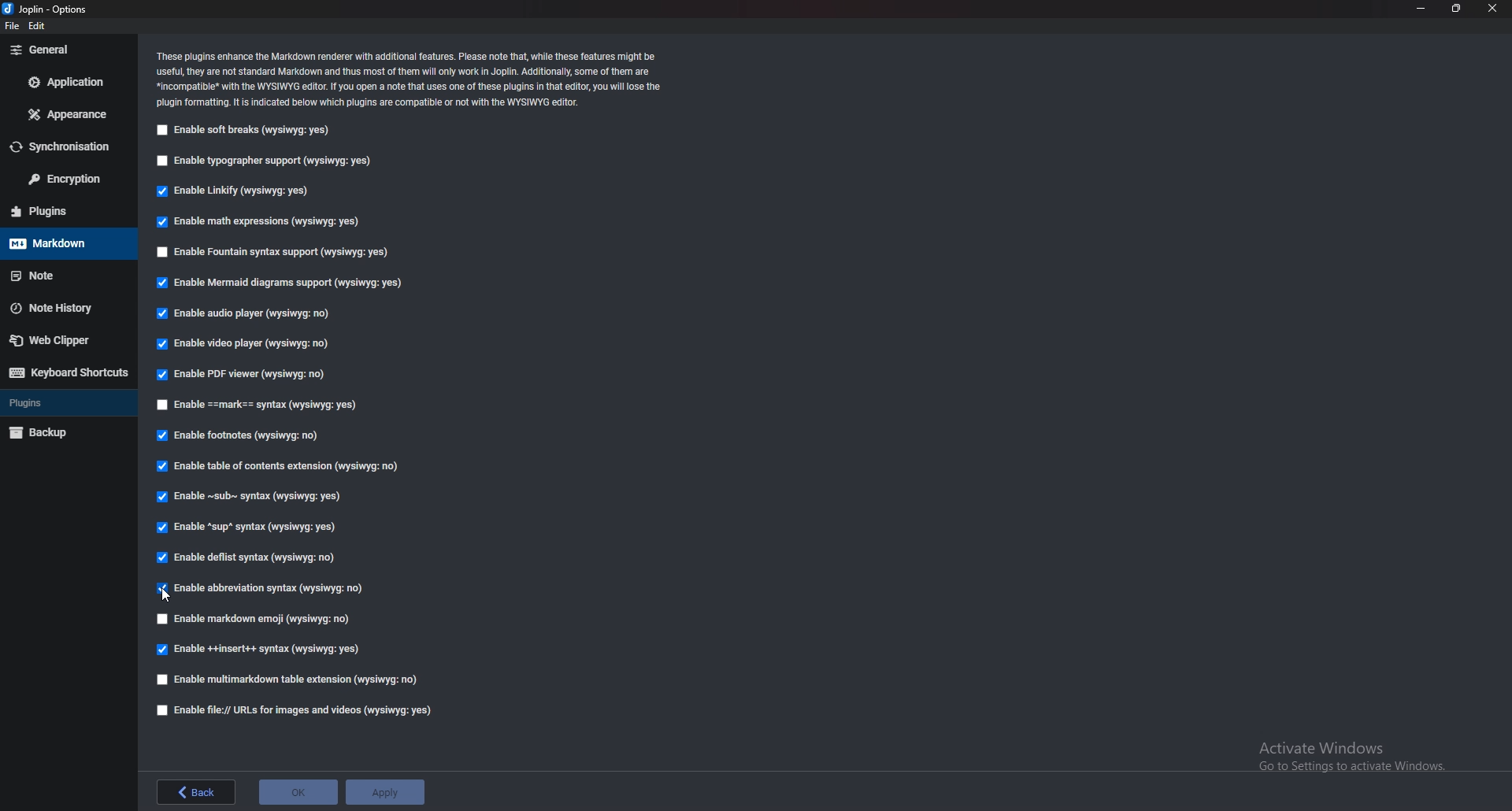 Image resolution: width=1512 pixels, height=811 pixels. I want to click on enable mermaid diagram support, so click(280, 283).